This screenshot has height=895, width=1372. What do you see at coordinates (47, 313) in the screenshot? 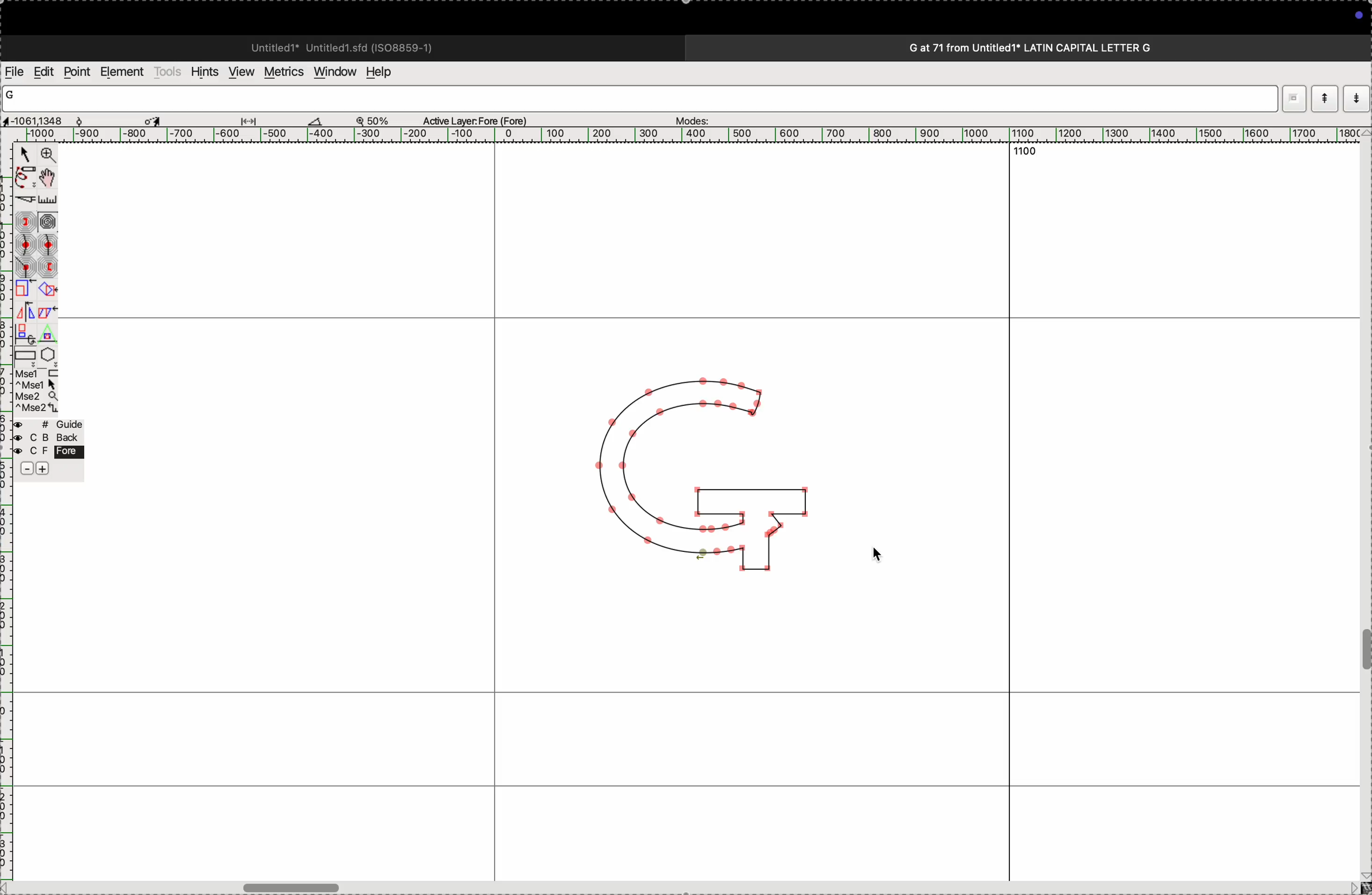
I see `skew` at bounding box center [47, 313].